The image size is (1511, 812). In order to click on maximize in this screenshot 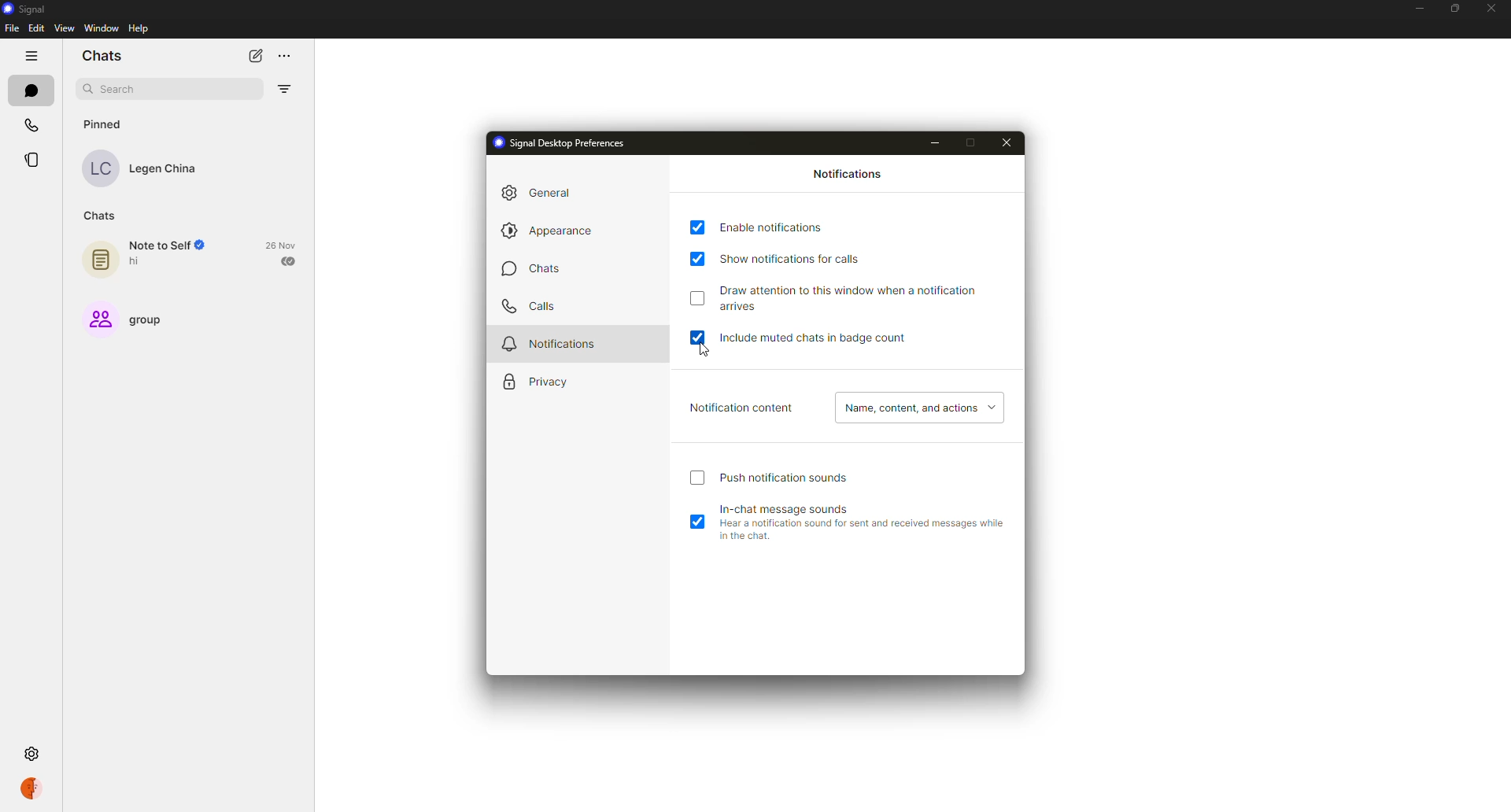, I will do `click(980, 142)`.